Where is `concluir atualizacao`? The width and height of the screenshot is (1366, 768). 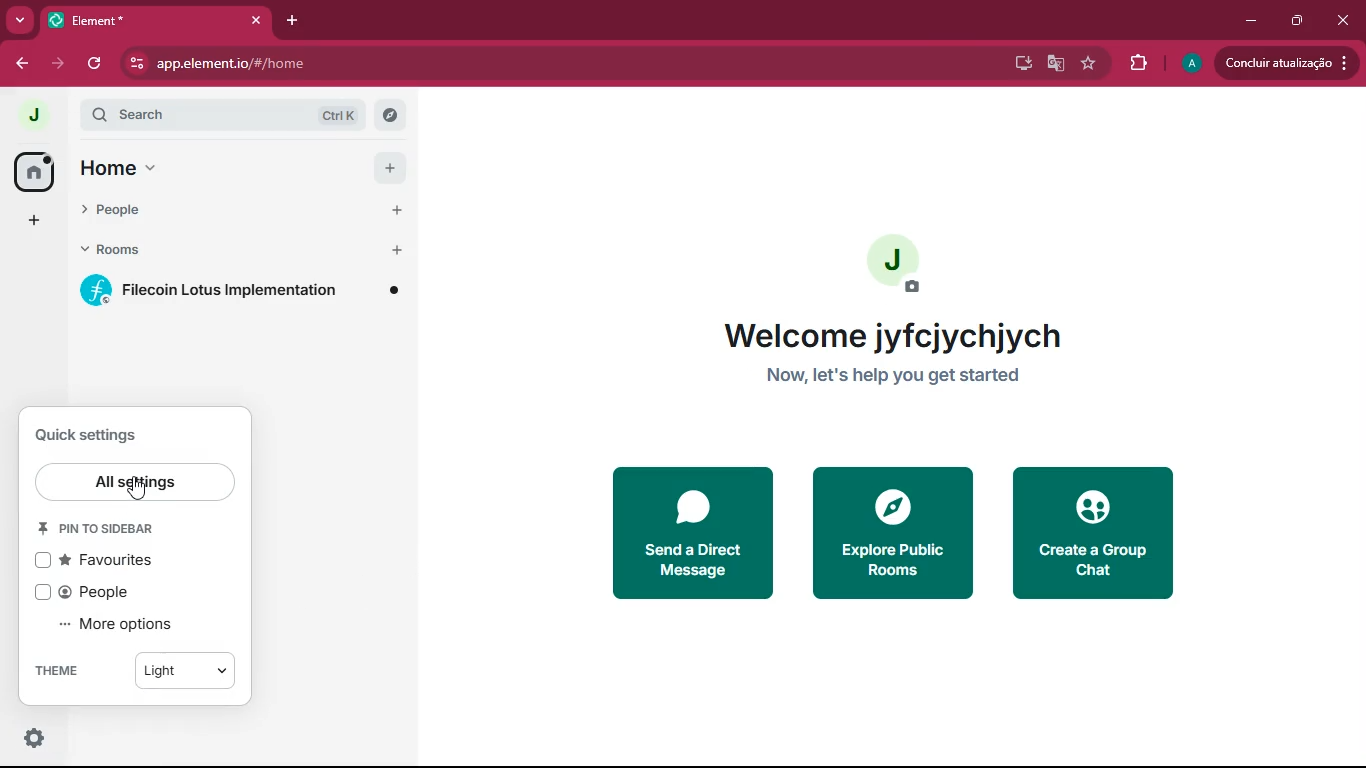 concluir atualizacao is located at coordinates (1290, 60).